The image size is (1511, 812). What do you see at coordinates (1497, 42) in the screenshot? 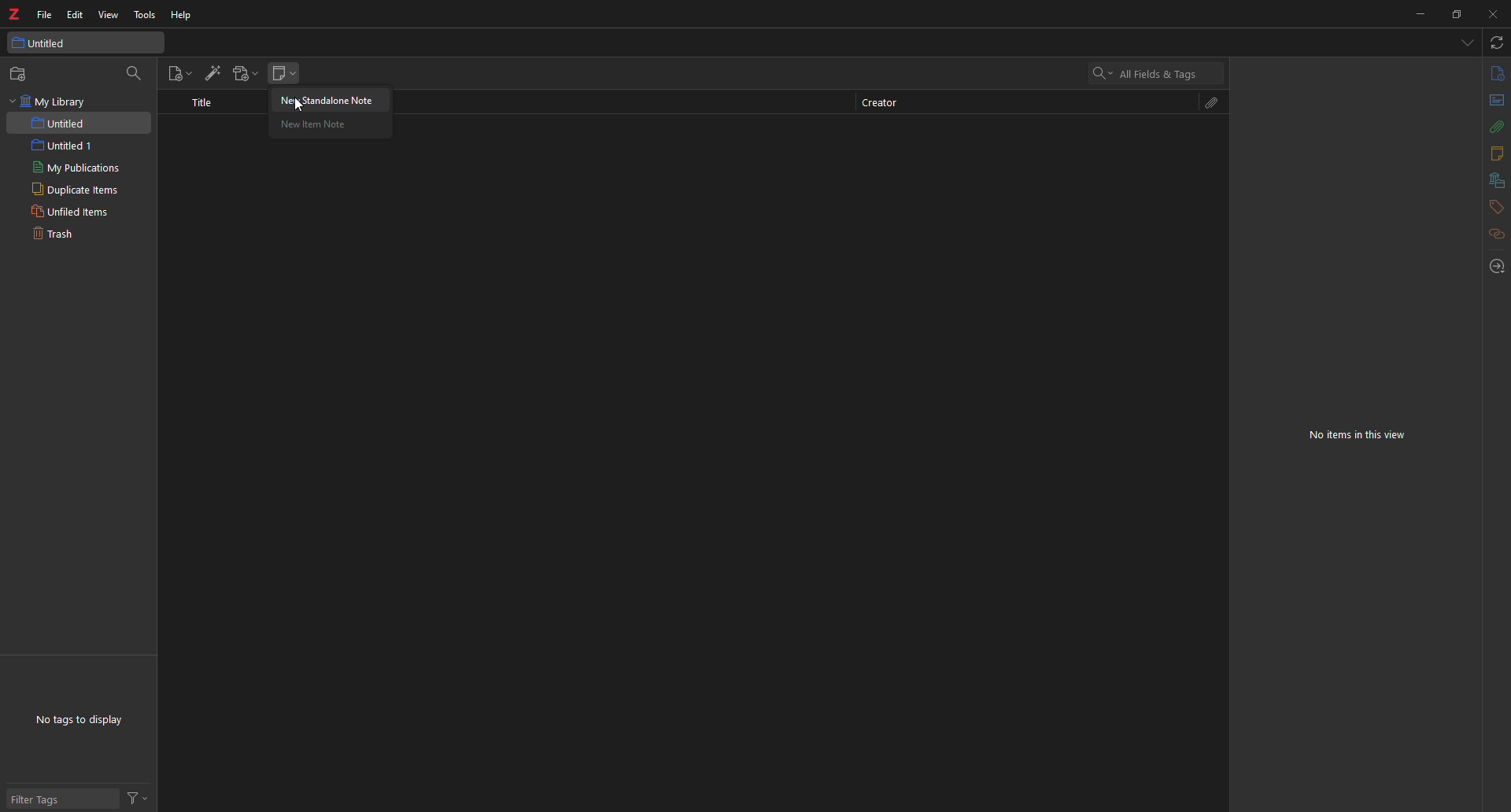
I see `sync` at bounding box center [1497, 42].